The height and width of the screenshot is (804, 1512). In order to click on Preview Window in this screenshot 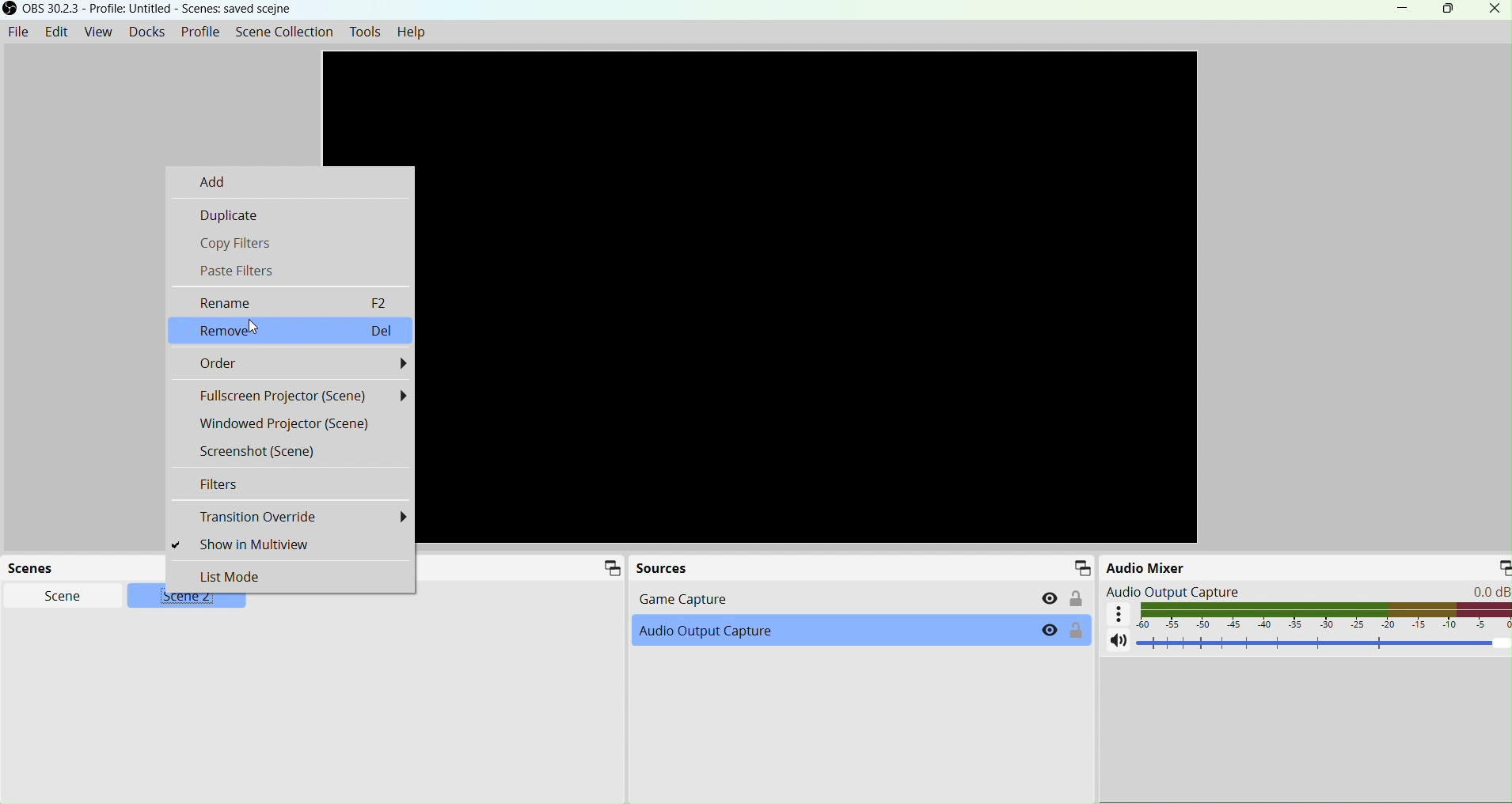, I will do `click(815, 298)`.